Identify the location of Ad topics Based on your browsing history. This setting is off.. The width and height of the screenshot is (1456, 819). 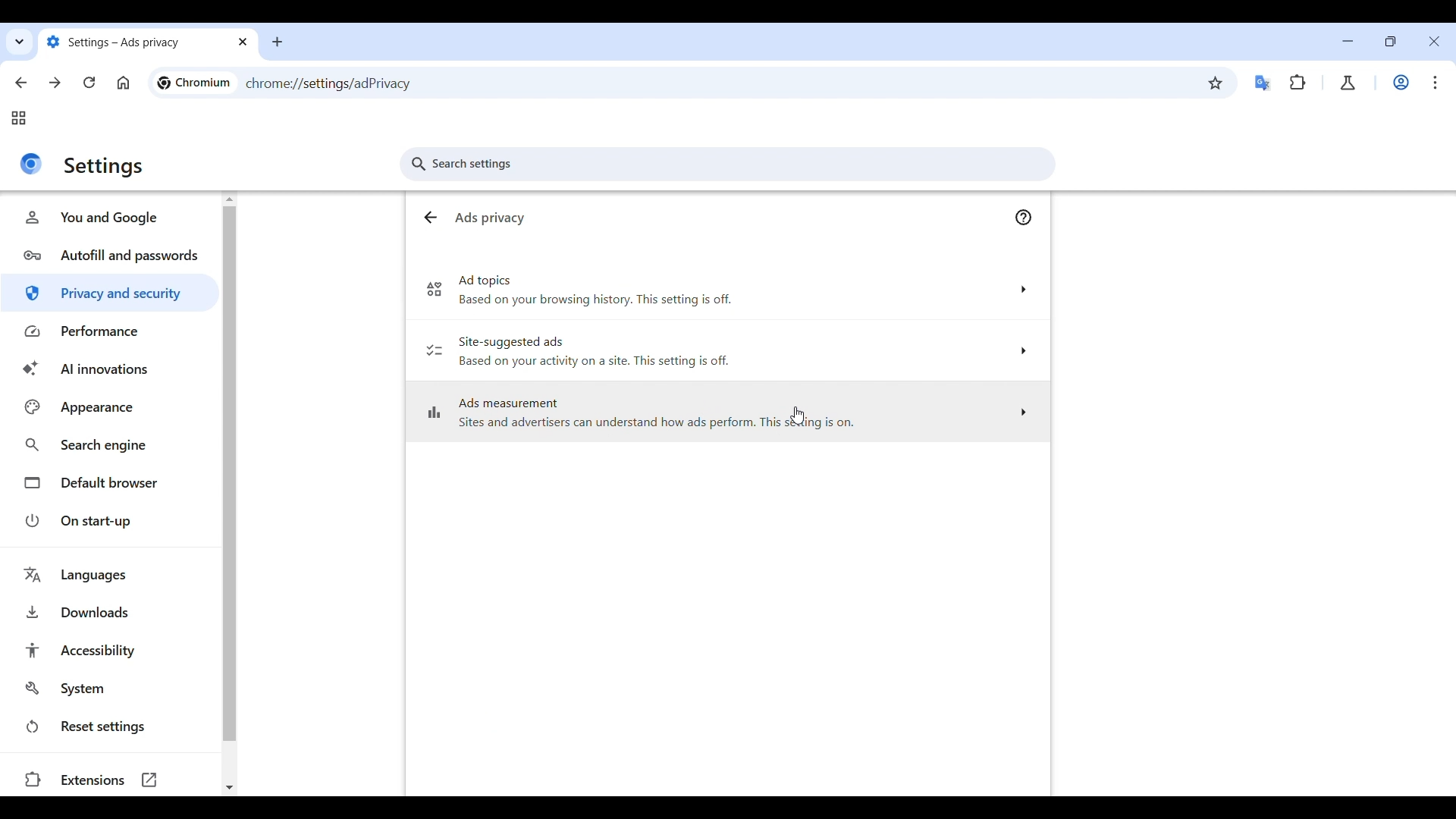
(730, 297).